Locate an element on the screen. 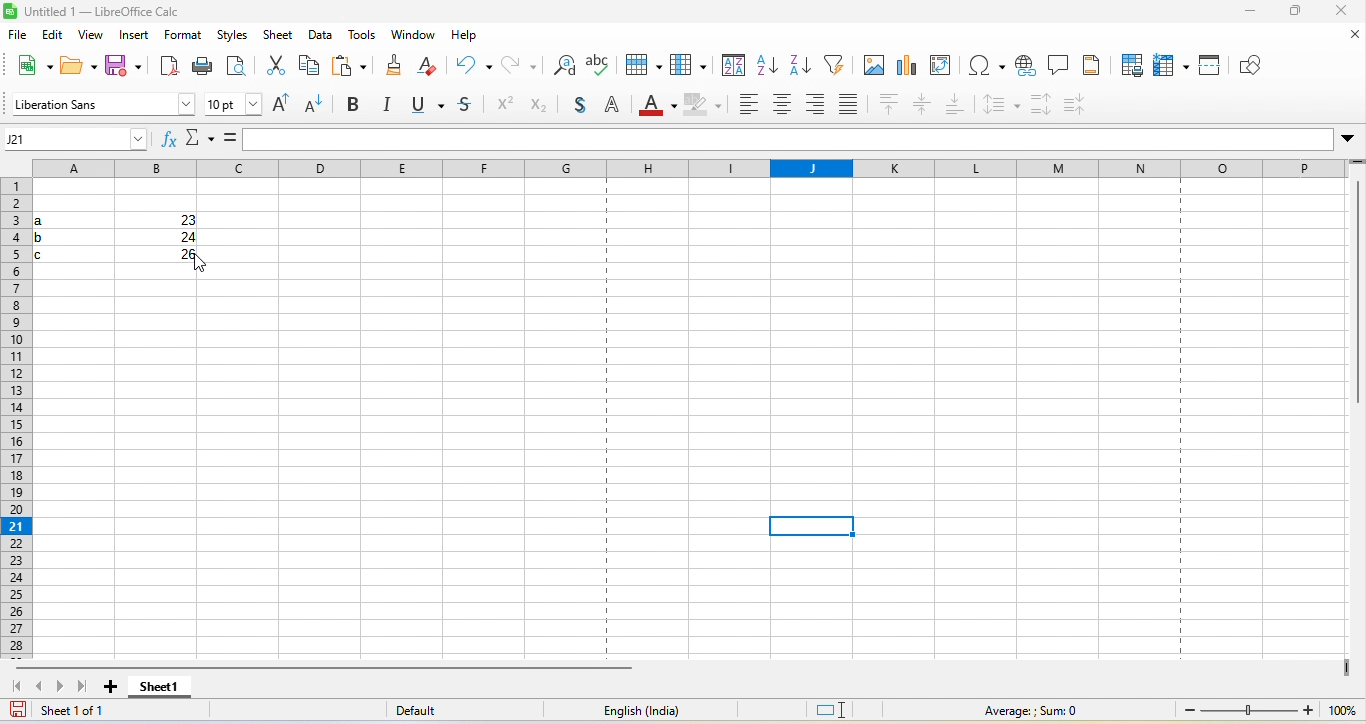 The image size is (1366, 724). close is located at coordinates (1346, 39).